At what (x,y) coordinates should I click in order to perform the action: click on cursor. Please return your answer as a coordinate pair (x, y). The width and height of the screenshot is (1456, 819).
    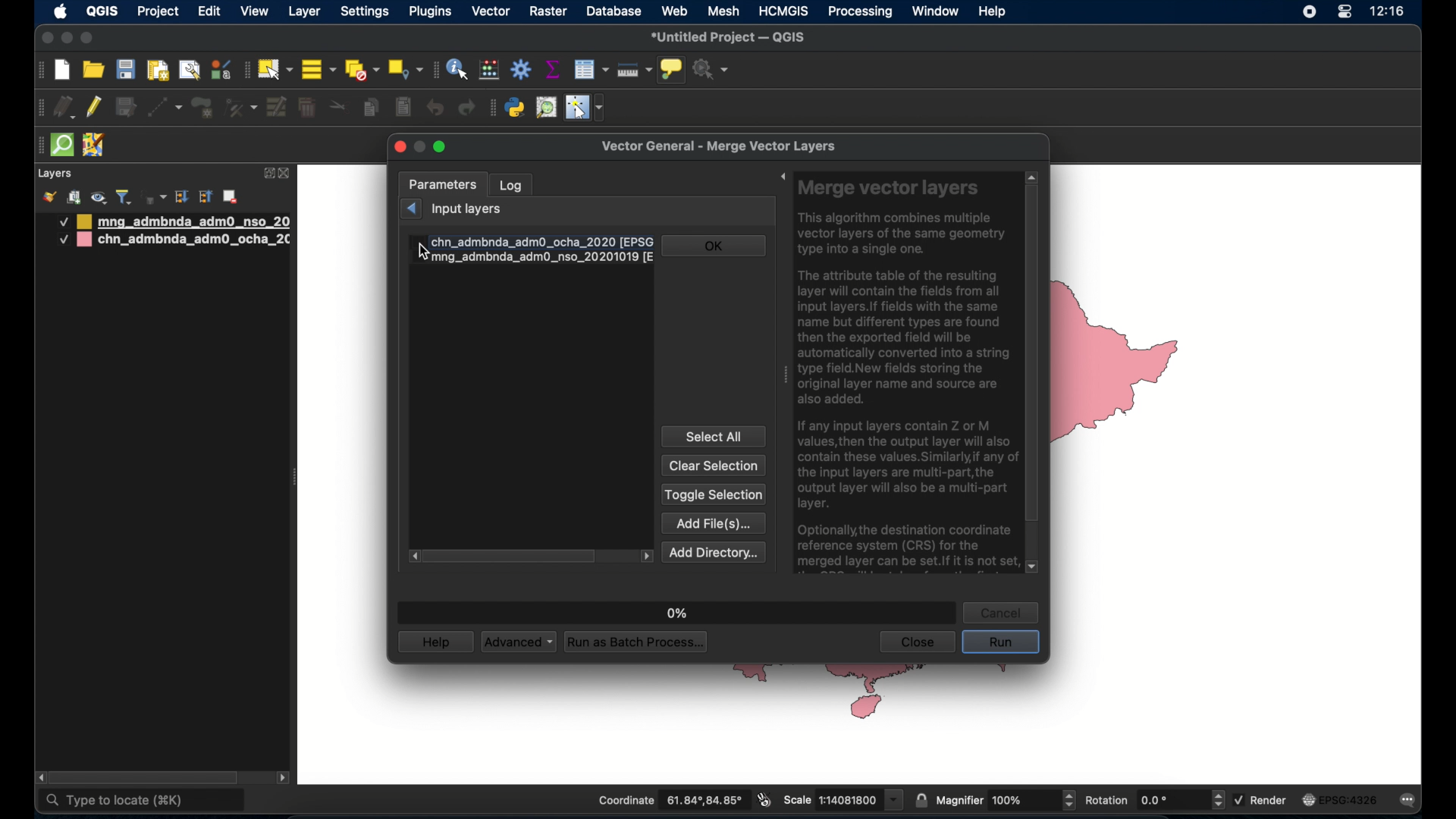
    Looking at the image, I should click on (426, 250).